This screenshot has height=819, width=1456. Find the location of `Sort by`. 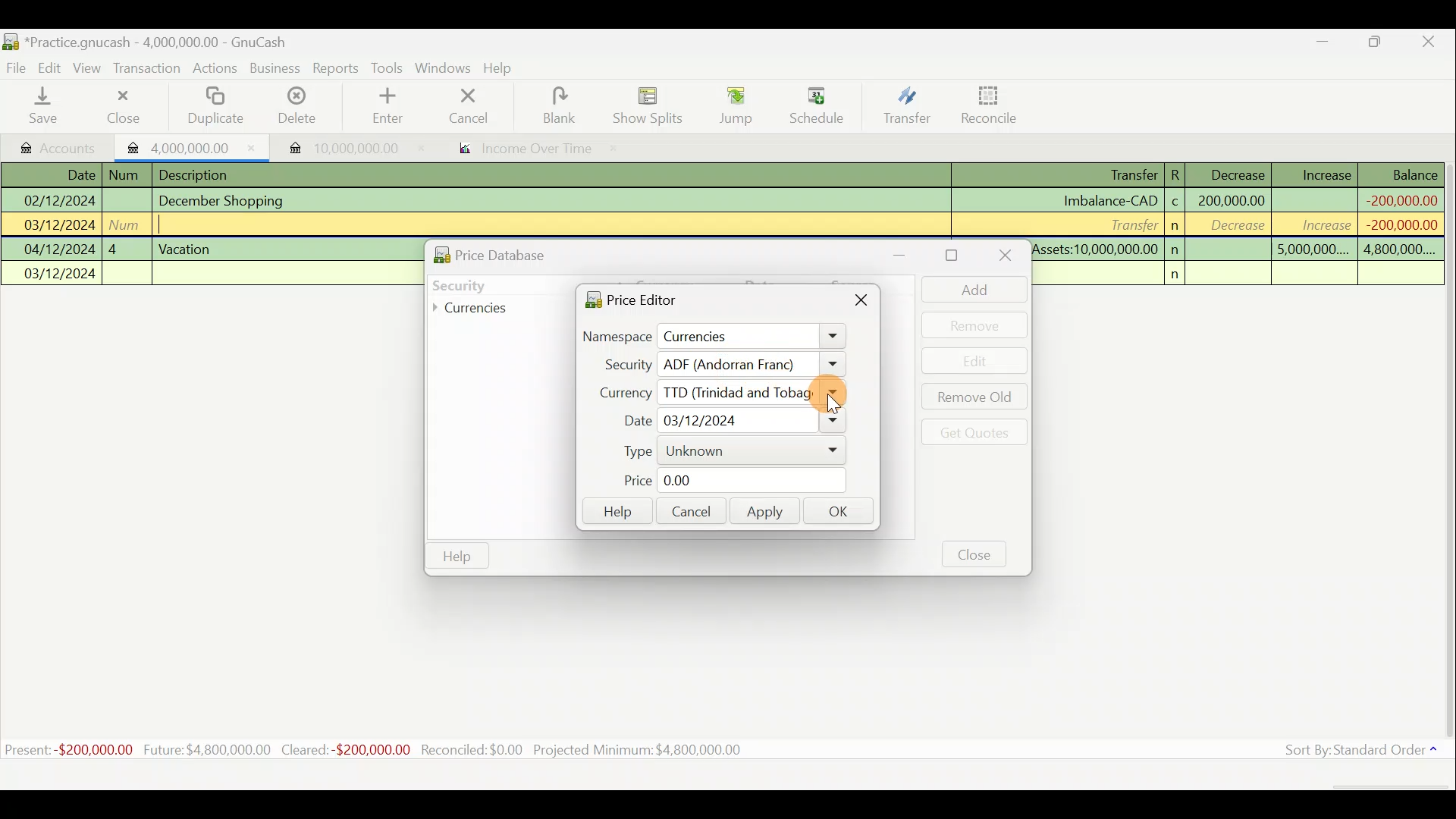

Sort by is located at coordinates (1354, 752).